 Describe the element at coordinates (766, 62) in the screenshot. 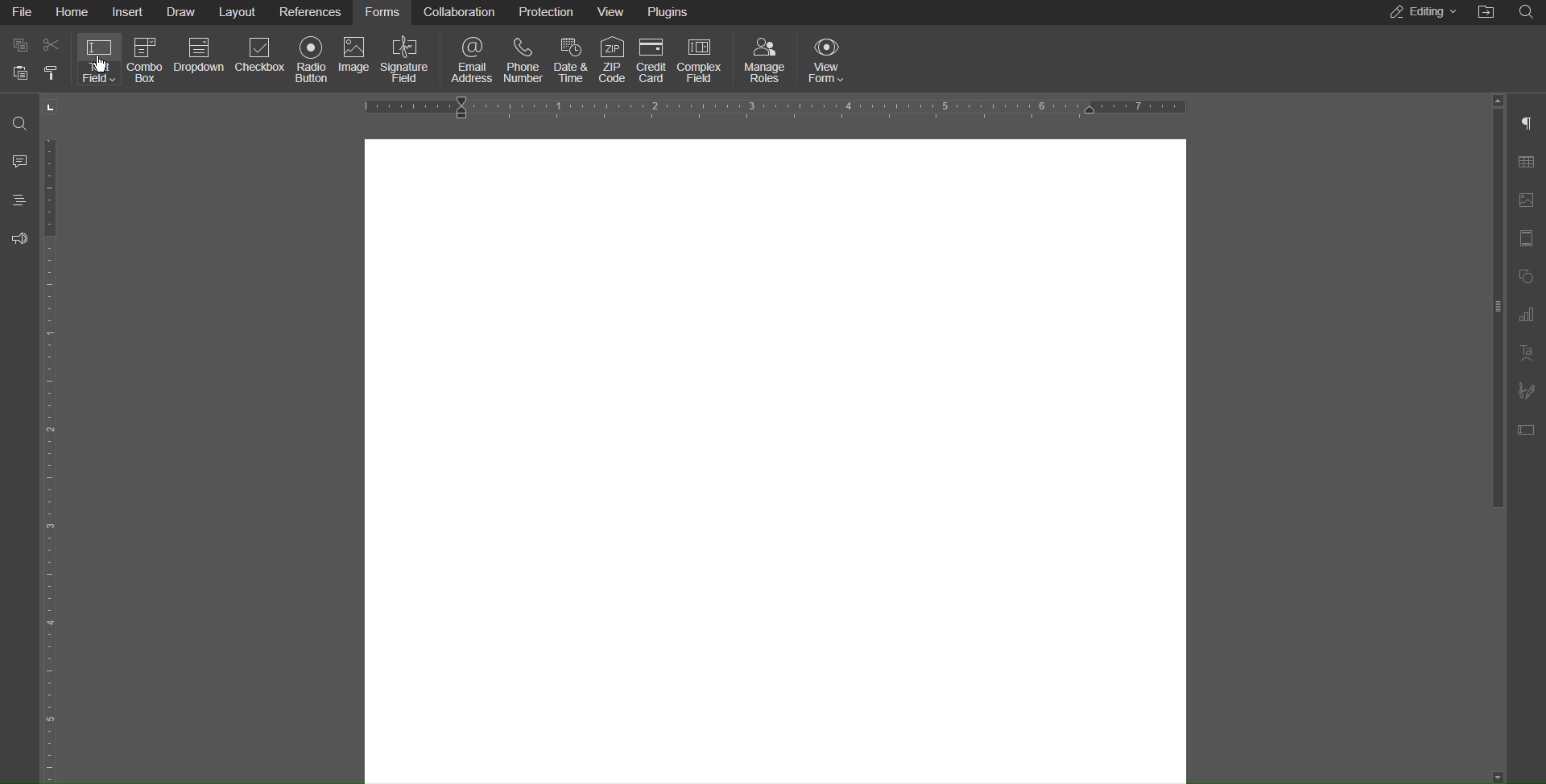

I see `Manage Rules` at that location.